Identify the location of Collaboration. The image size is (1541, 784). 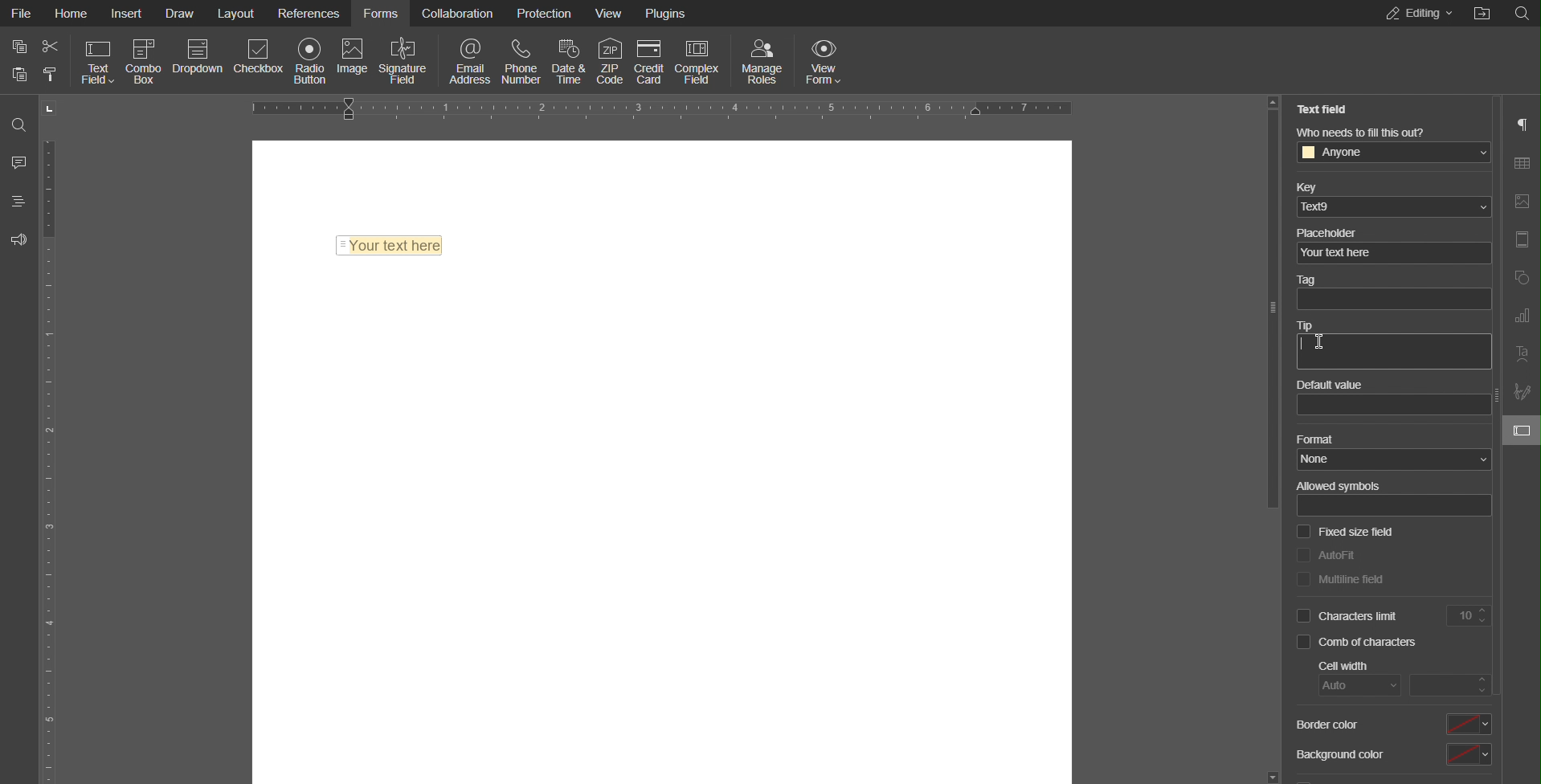
(458, 12).